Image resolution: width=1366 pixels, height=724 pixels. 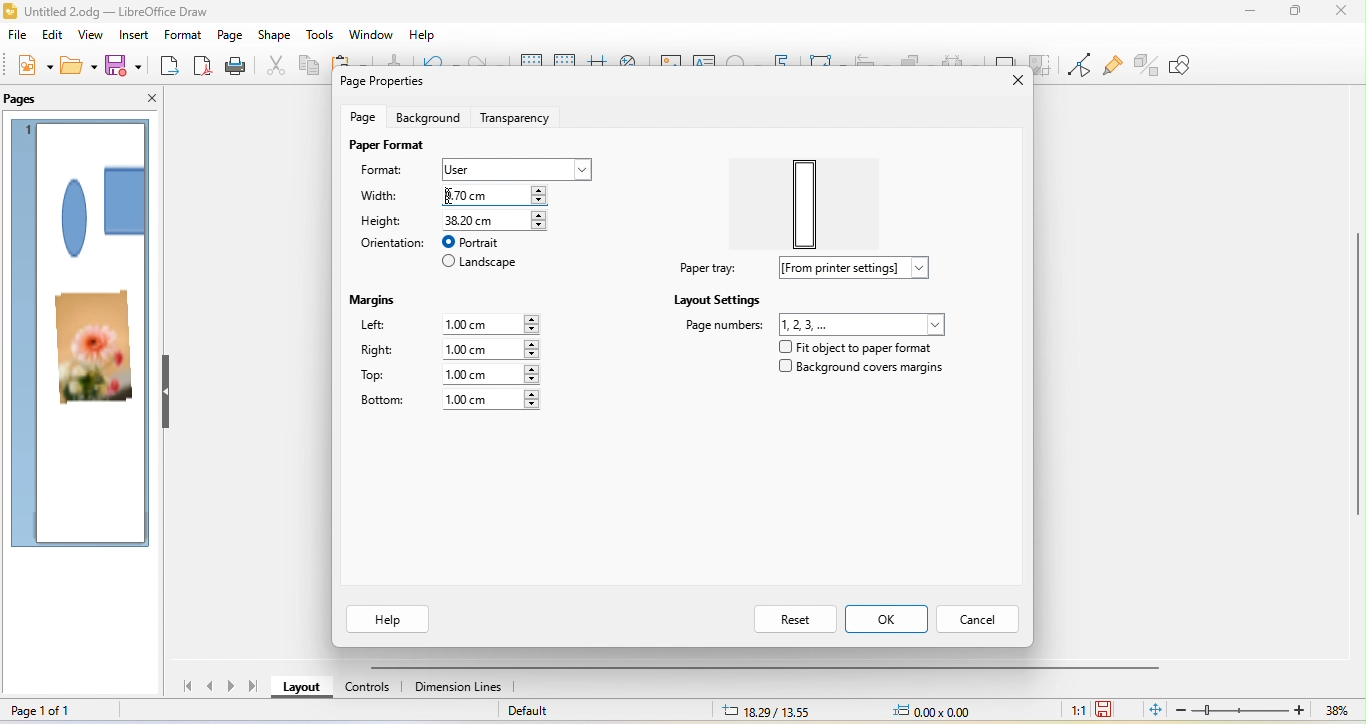 What do you see at coordinates (124, 69) in the screenshot?
I see `save` at bounding box center [124, 69].